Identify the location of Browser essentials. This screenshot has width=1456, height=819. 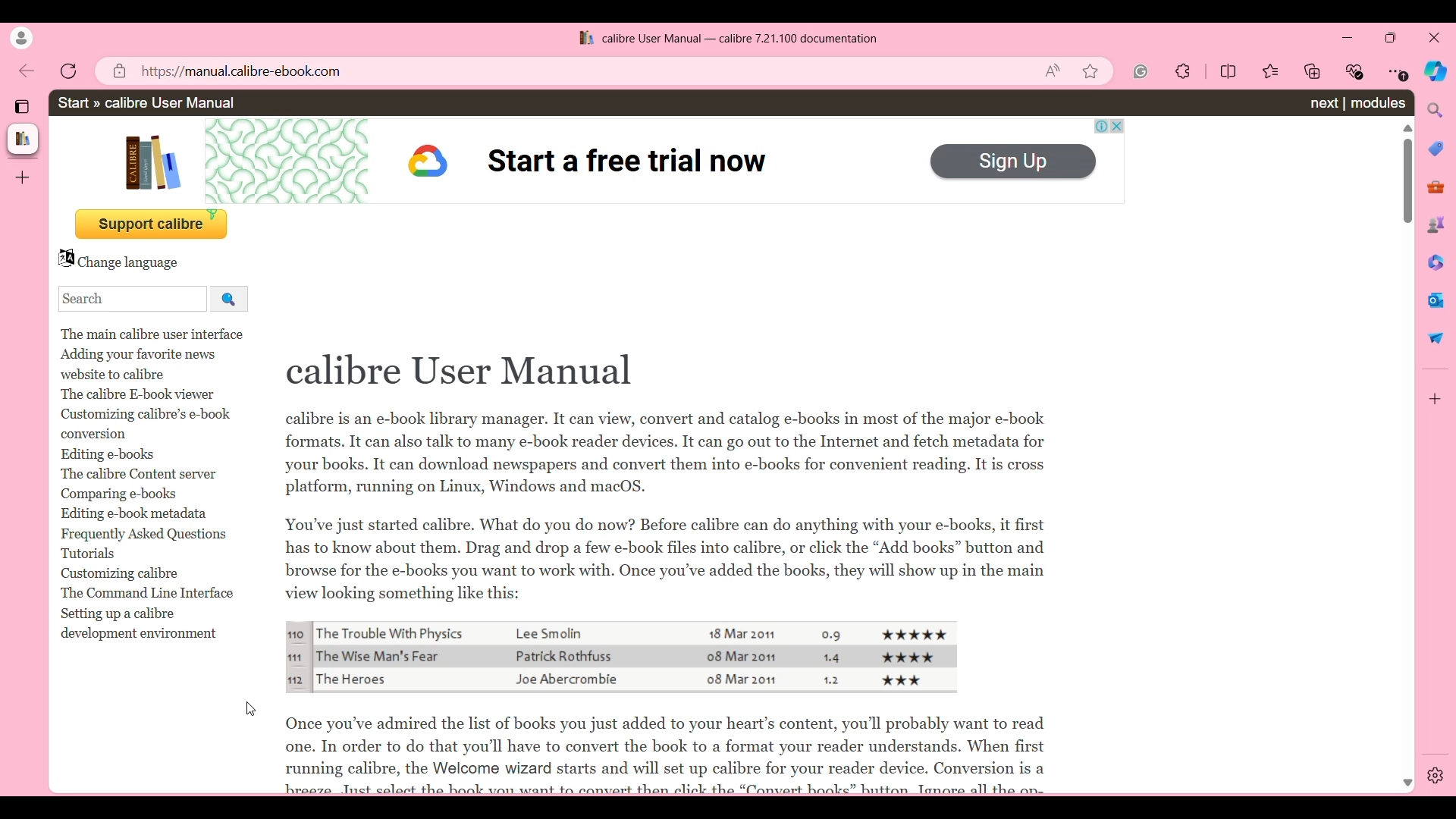
(1354, 71).